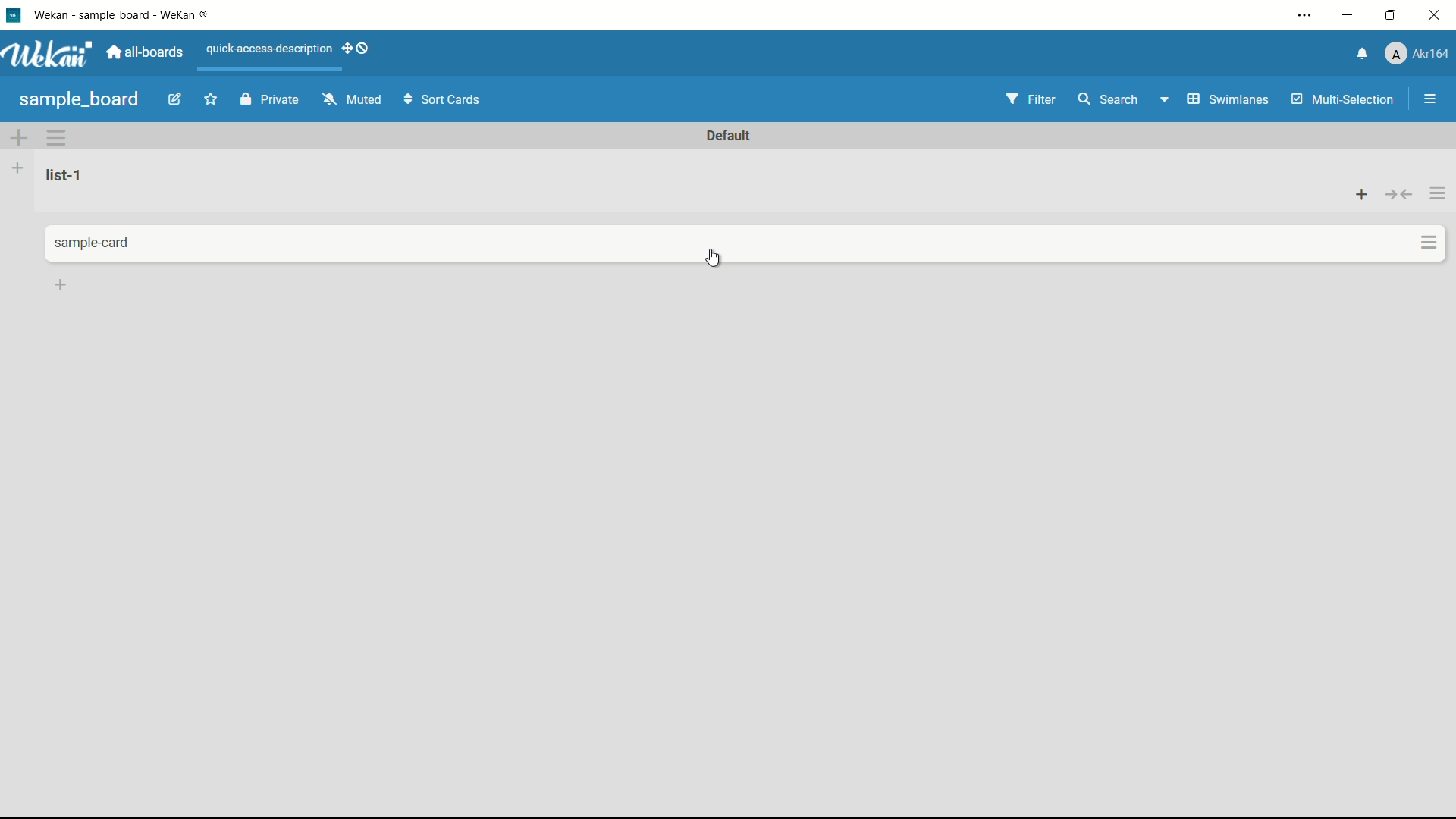  I want to click on add card bottom, so click(61, 285).